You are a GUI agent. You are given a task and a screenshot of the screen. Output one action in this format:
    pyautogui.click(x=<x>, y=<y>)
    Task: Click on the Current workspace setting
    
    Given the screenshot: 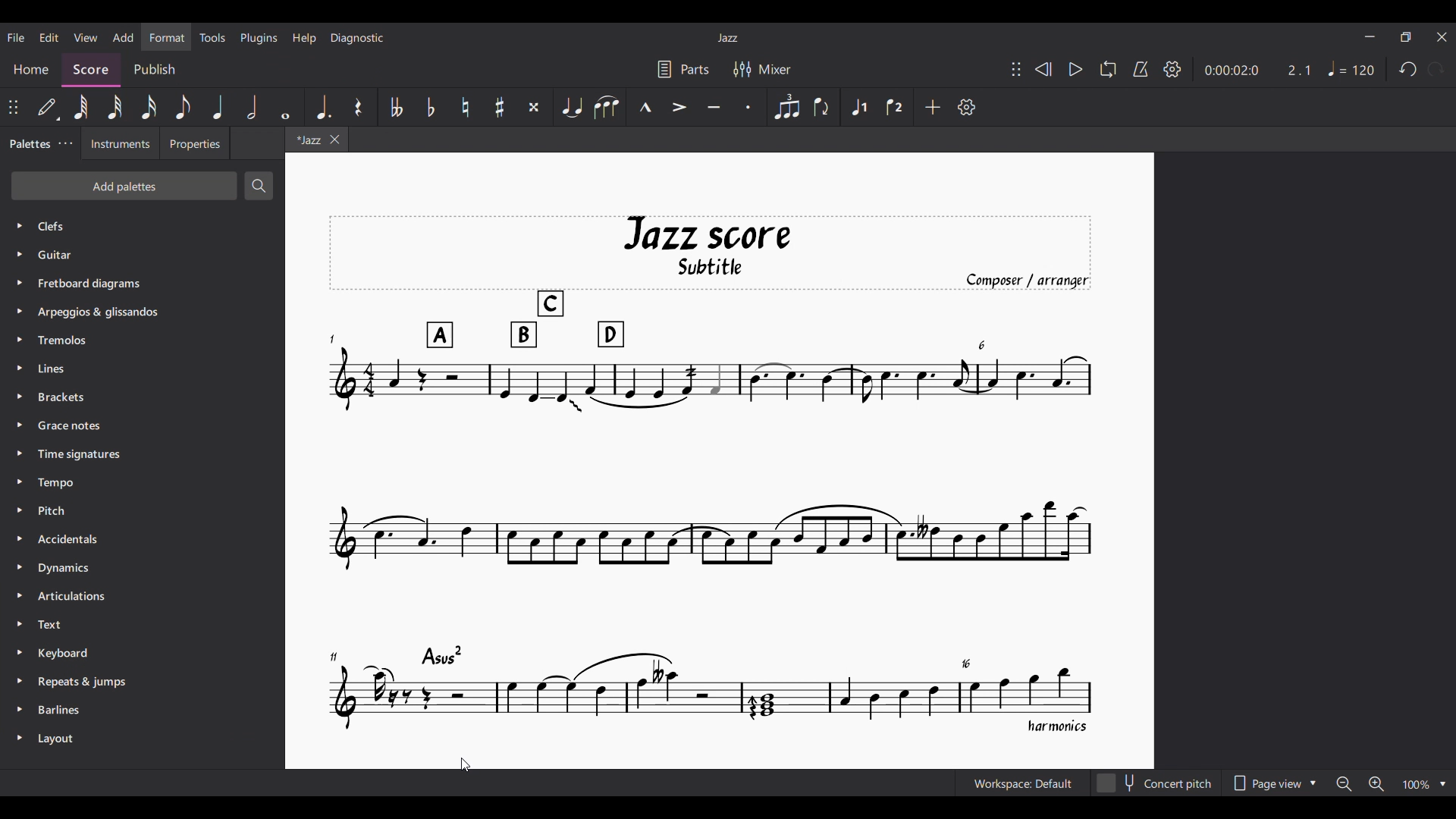 What is the action you would take?
    pyautogui.click(x=1023, y=783)
    